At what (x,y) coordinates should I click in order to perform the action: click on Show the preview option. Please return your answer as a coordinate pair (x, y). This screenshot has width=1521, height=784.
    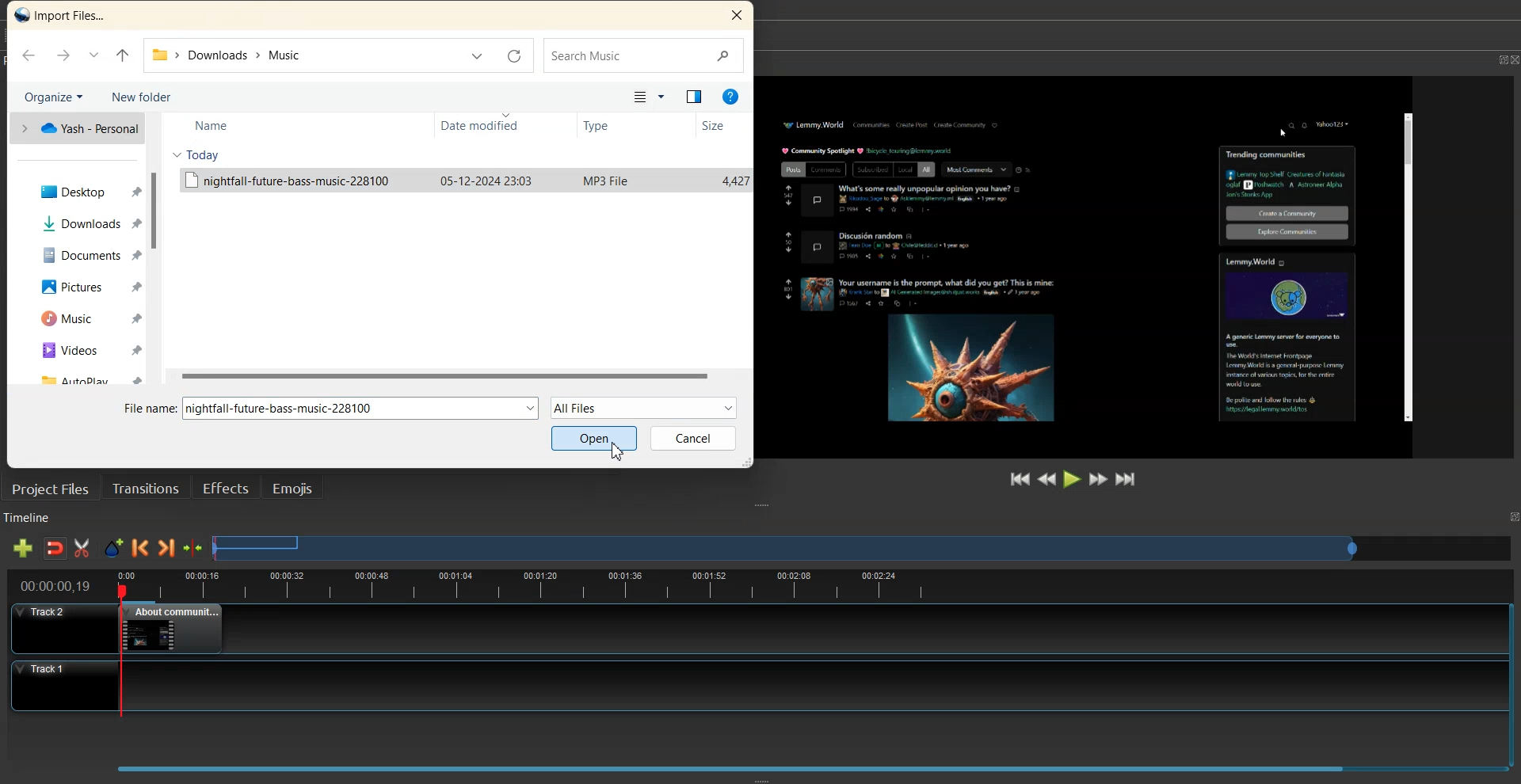
    Looking at the image, I should click on (695, 97).